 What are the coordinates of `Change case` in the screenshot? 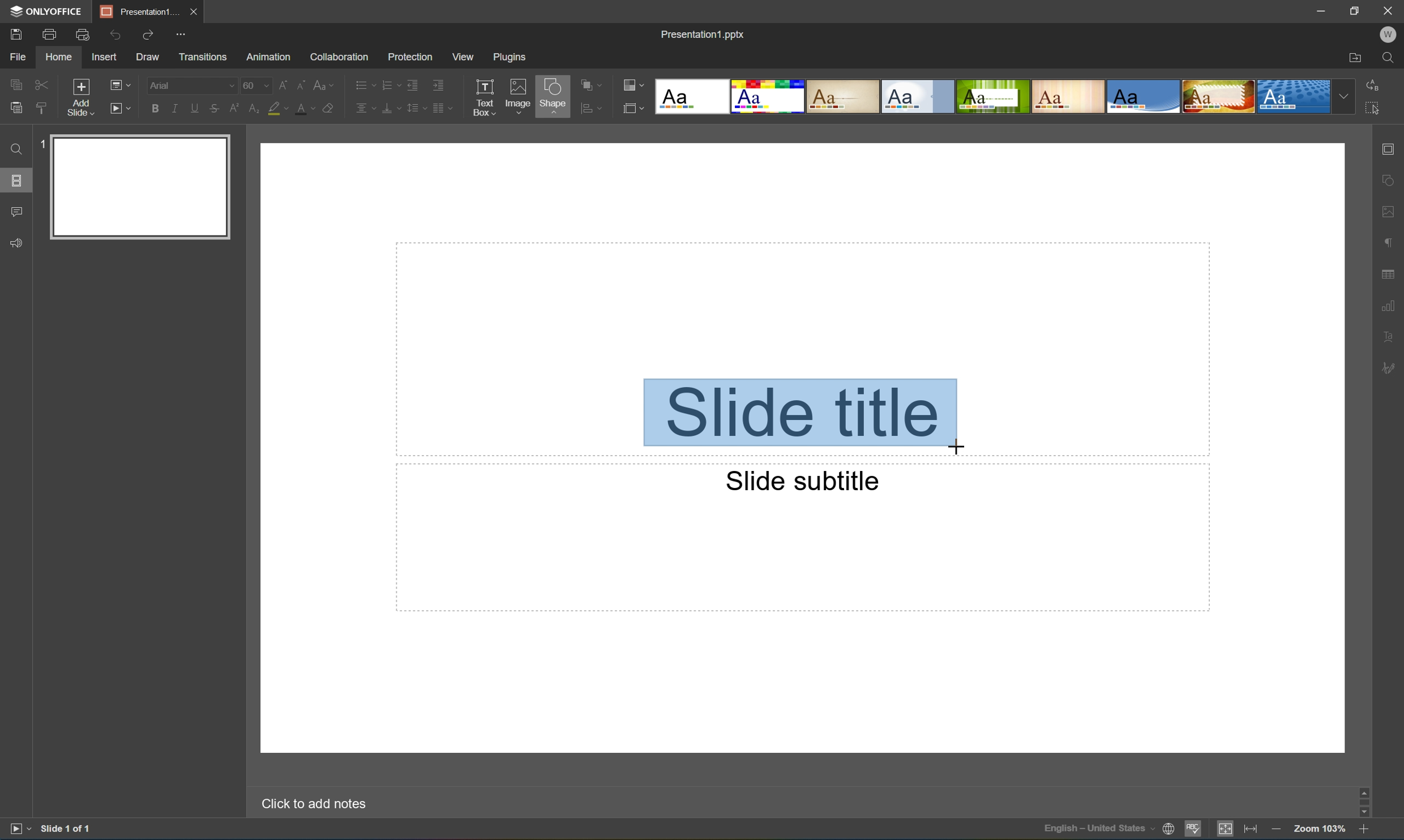 It's located at (327, 85).